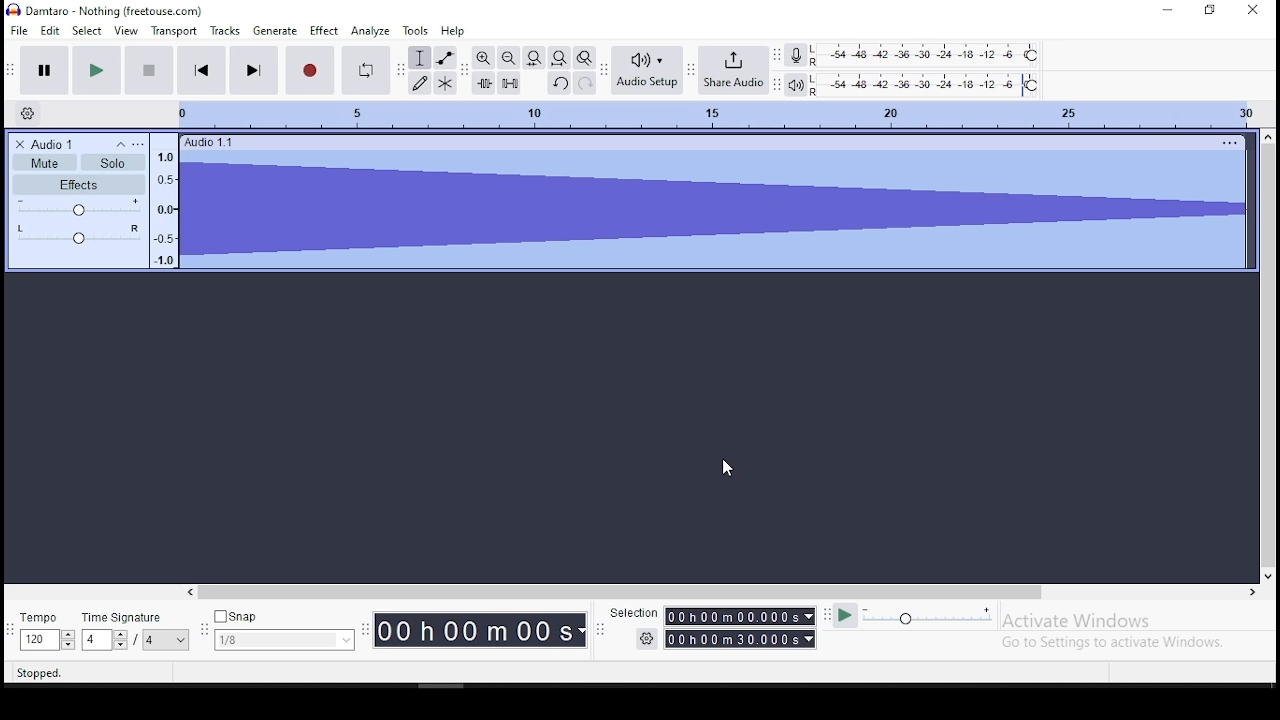 The image size is (1280, 720). What do you see at coordinates (417, 31) in the screenshot?
I see `tools` at bounding box center [417, 31].